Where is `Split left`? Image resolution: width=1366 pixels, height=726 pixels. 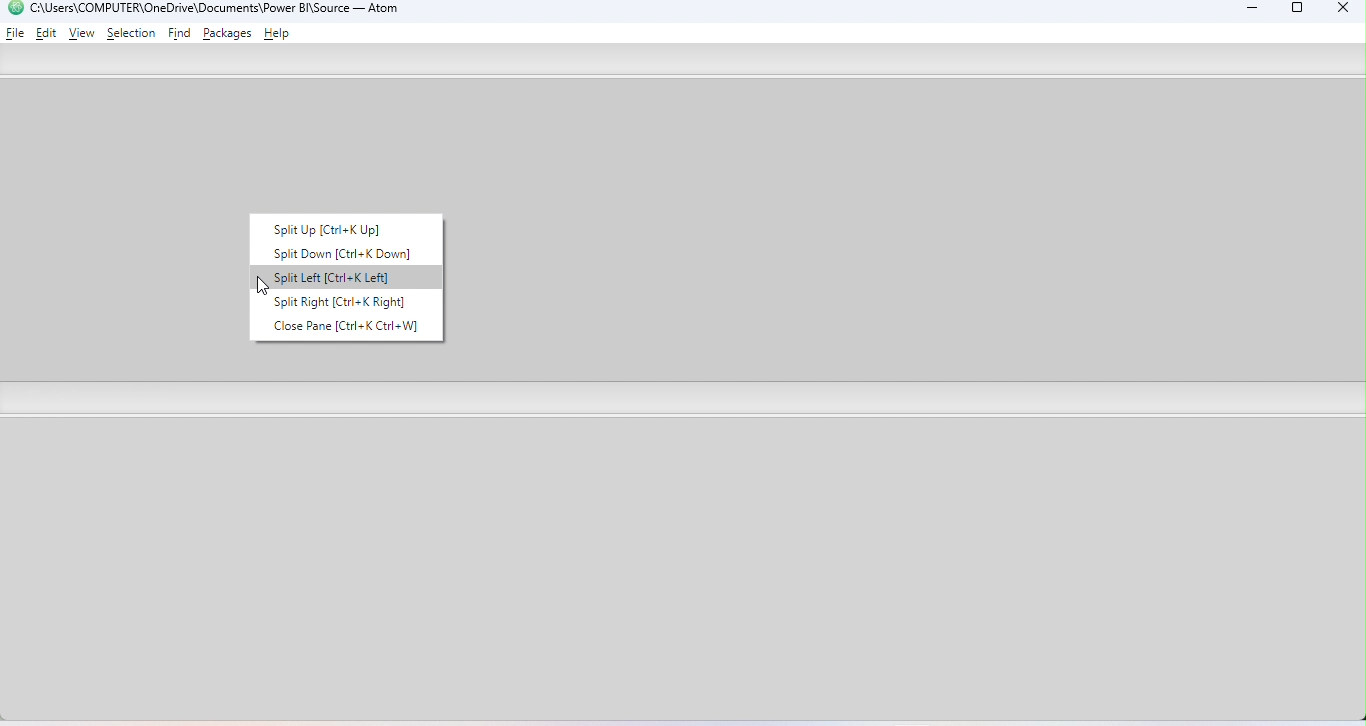 Split left is located at coordinates (324, 278).